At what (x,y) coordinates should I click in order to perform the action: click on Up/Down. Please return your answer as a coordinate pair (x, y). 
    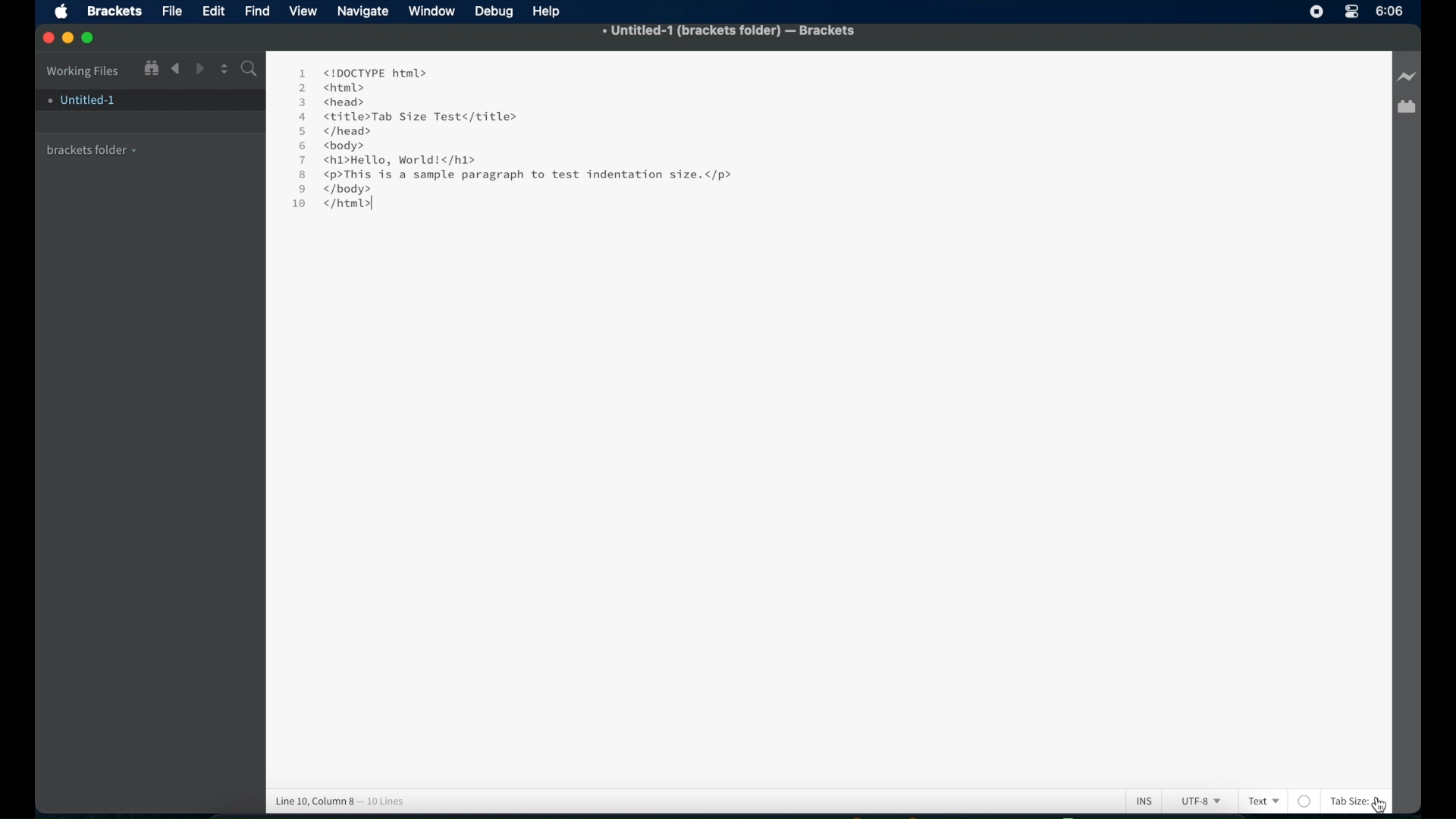
    Looking at the image, I should click on (224, 68).